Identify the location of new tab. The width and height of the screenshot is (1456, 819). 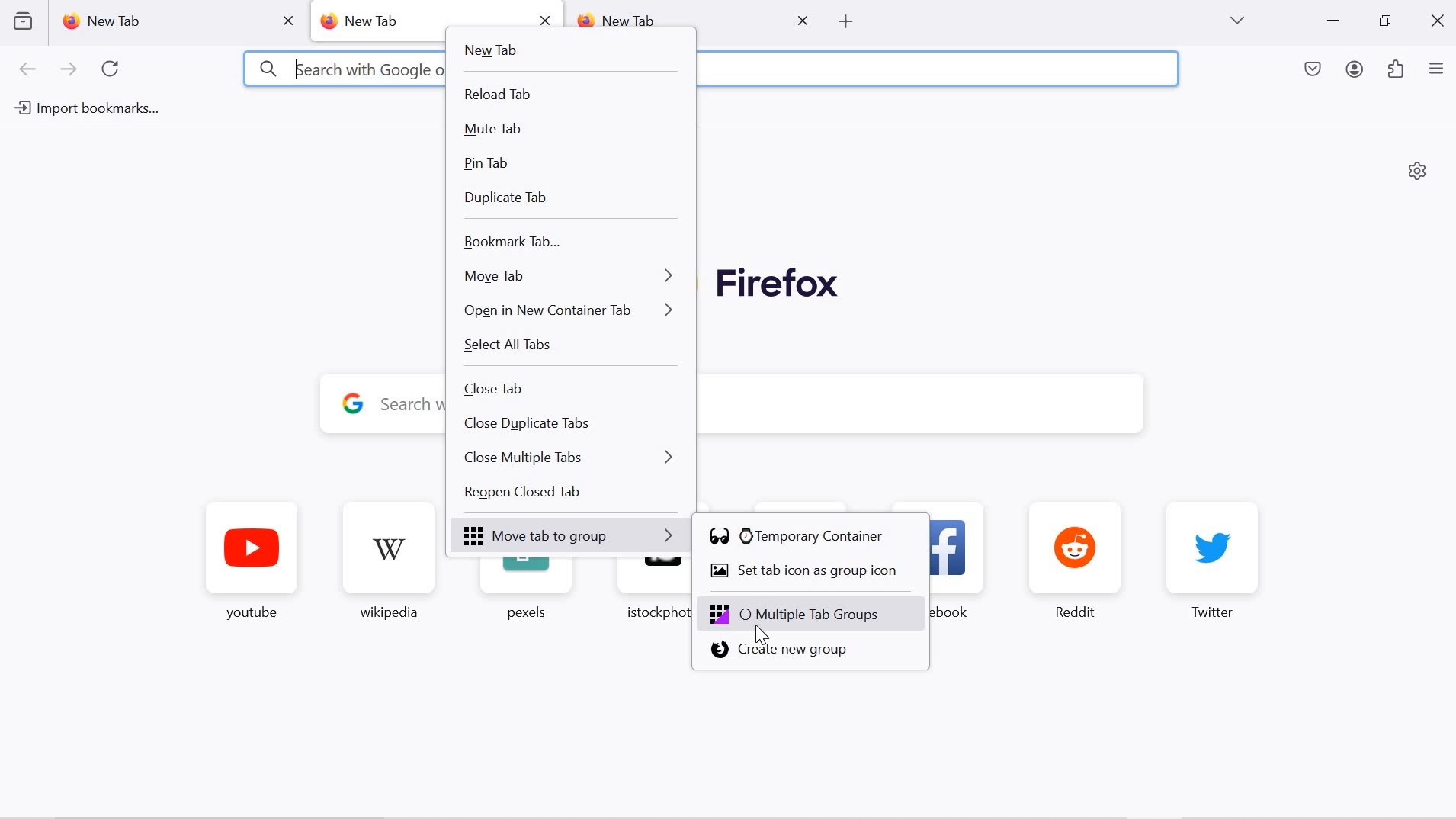
(371, 21).